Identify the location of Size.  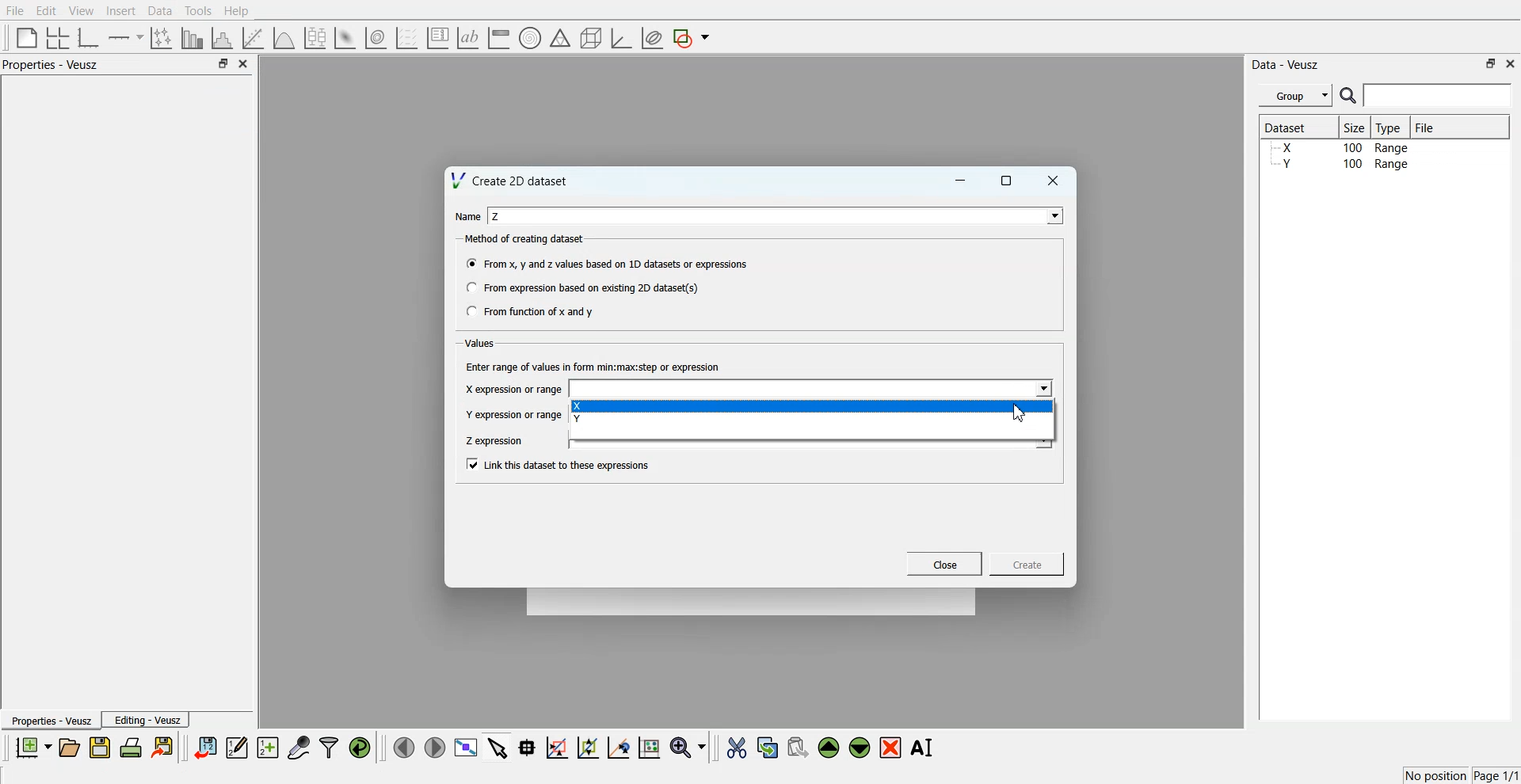
(1355, 127).